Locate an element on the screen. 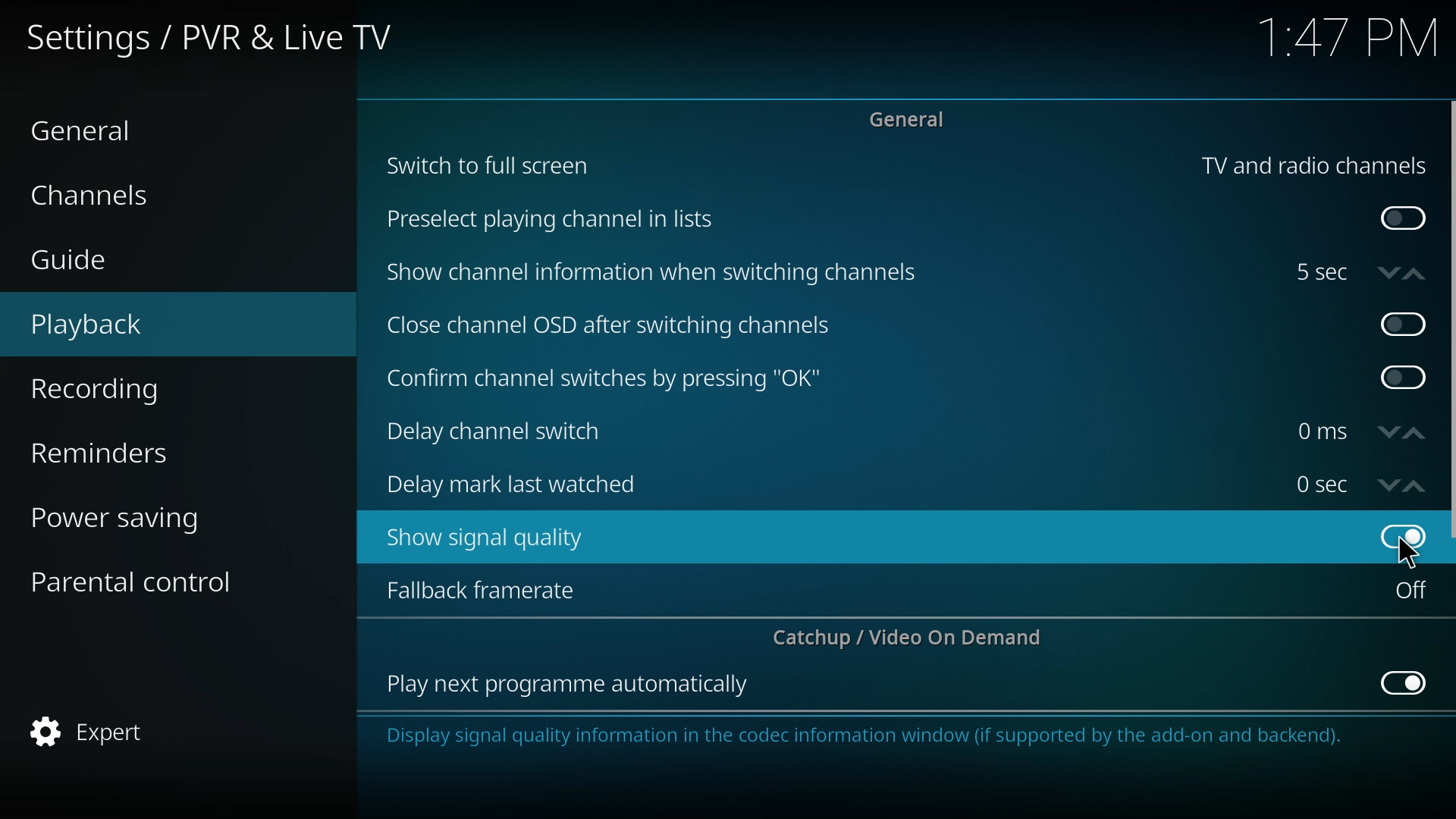 The height and width of the screenshot is (819, 1456). increase time is located at coordinates (1415, 487).